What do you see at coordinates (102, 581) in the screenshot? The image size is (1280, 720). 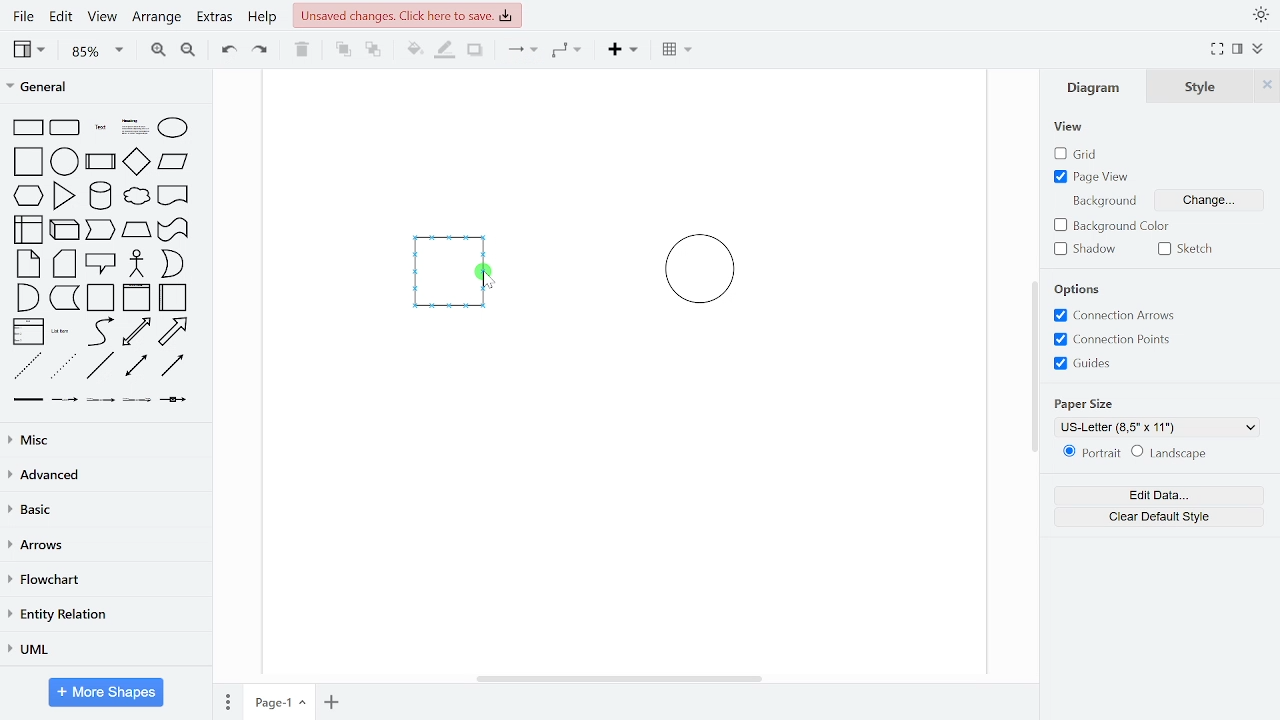 I see `flowchart` at bounding box center [102, 581].